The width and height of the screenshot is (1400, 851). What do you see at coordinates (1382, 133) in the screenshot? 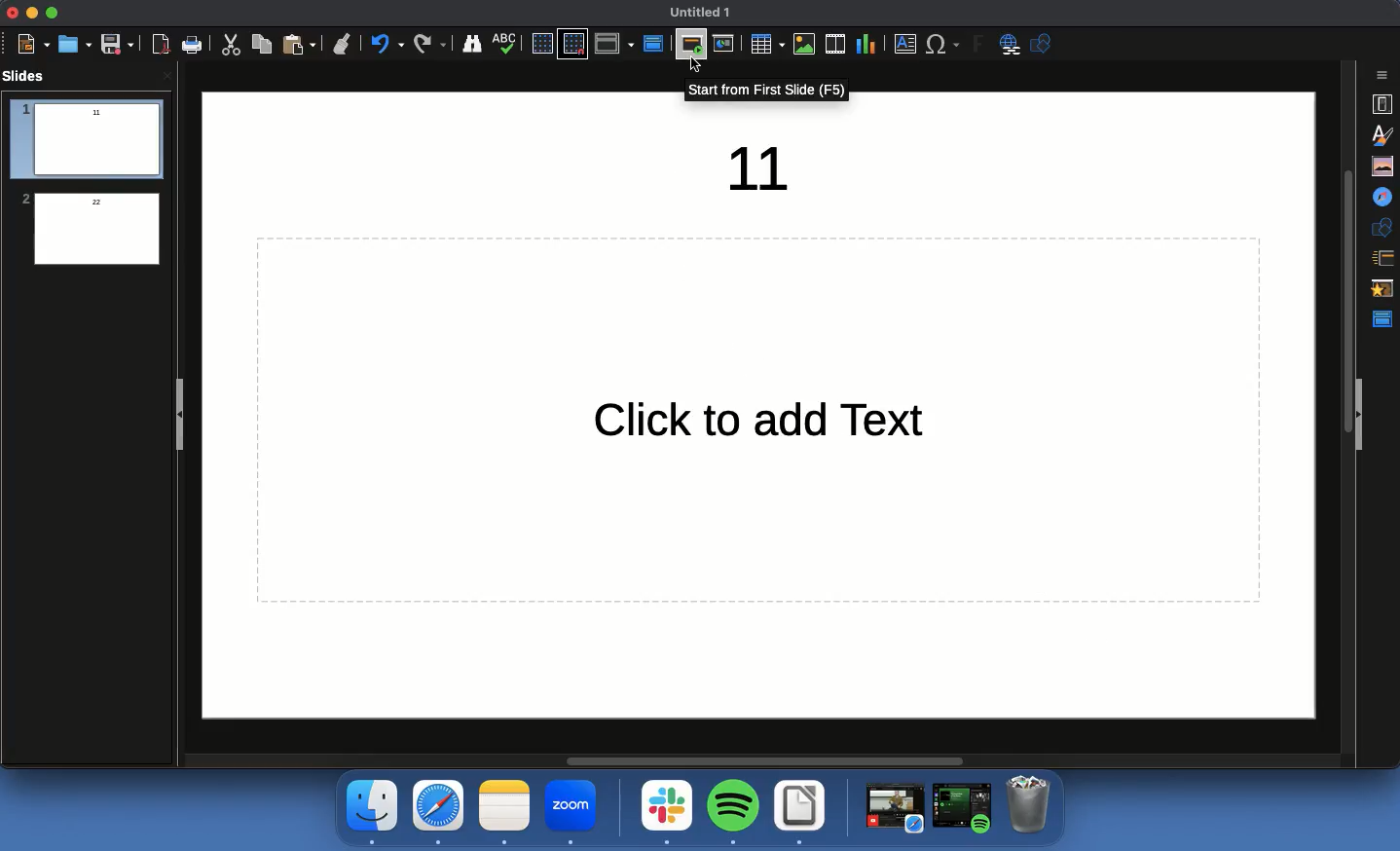
I see `Styles` at bounding box center [1382, 133].